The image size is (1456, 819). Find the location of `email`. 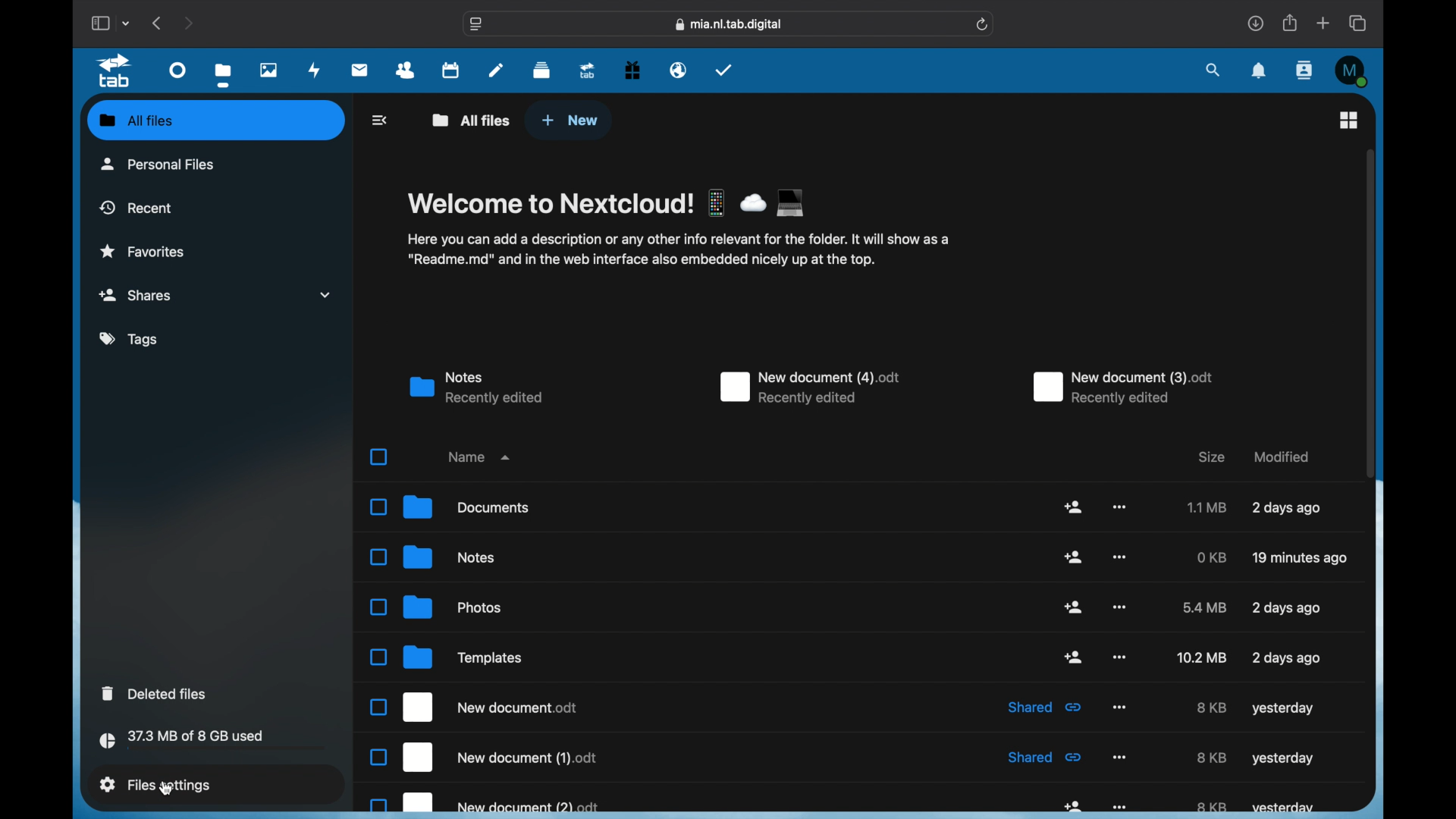

email is located at coordinates (678, 71).